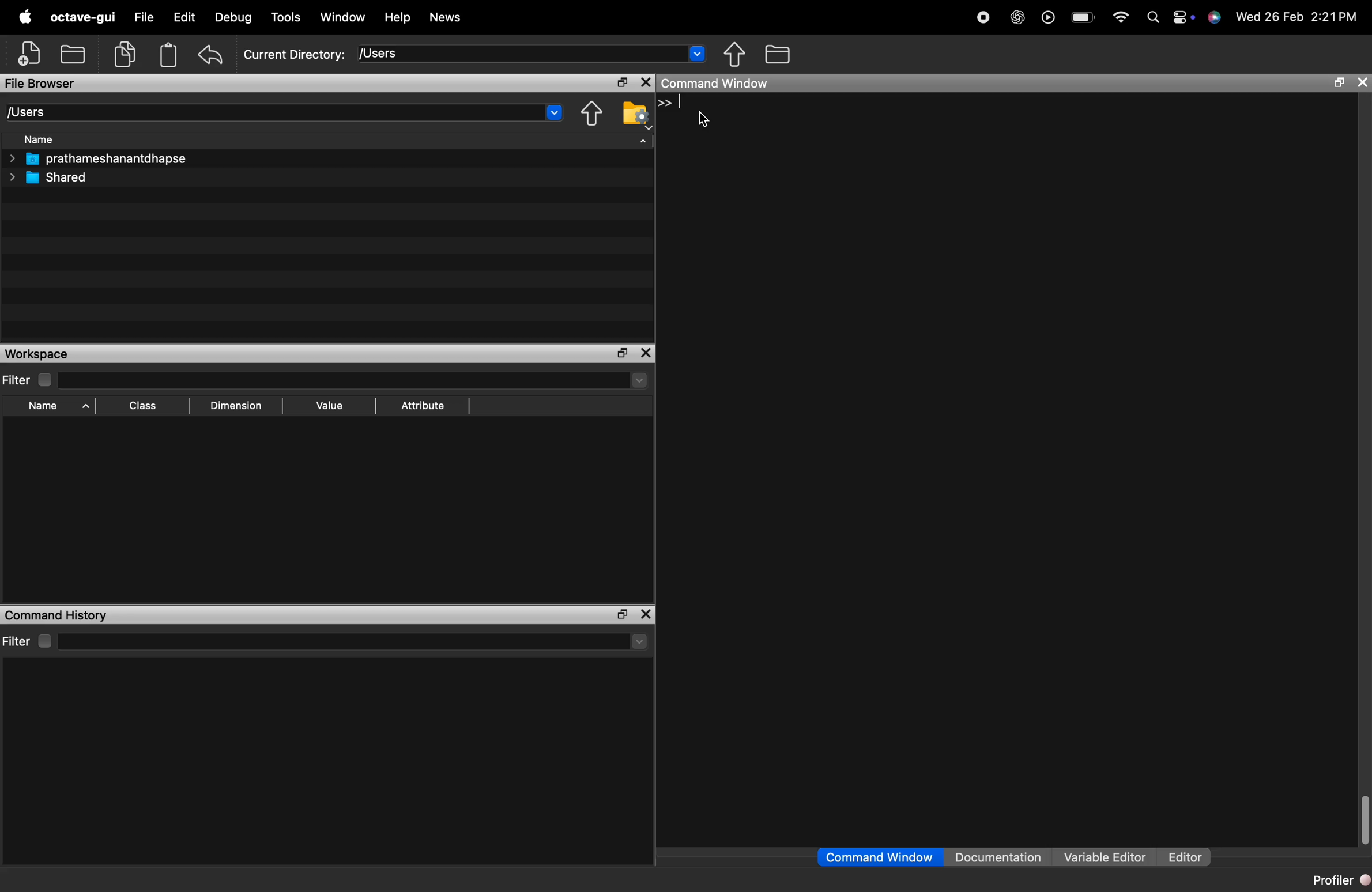 The height and width of the screenshot is (892, 1372). Describe the element at coordinates (638, 143) in the screenshot. I see `sort` at that location.